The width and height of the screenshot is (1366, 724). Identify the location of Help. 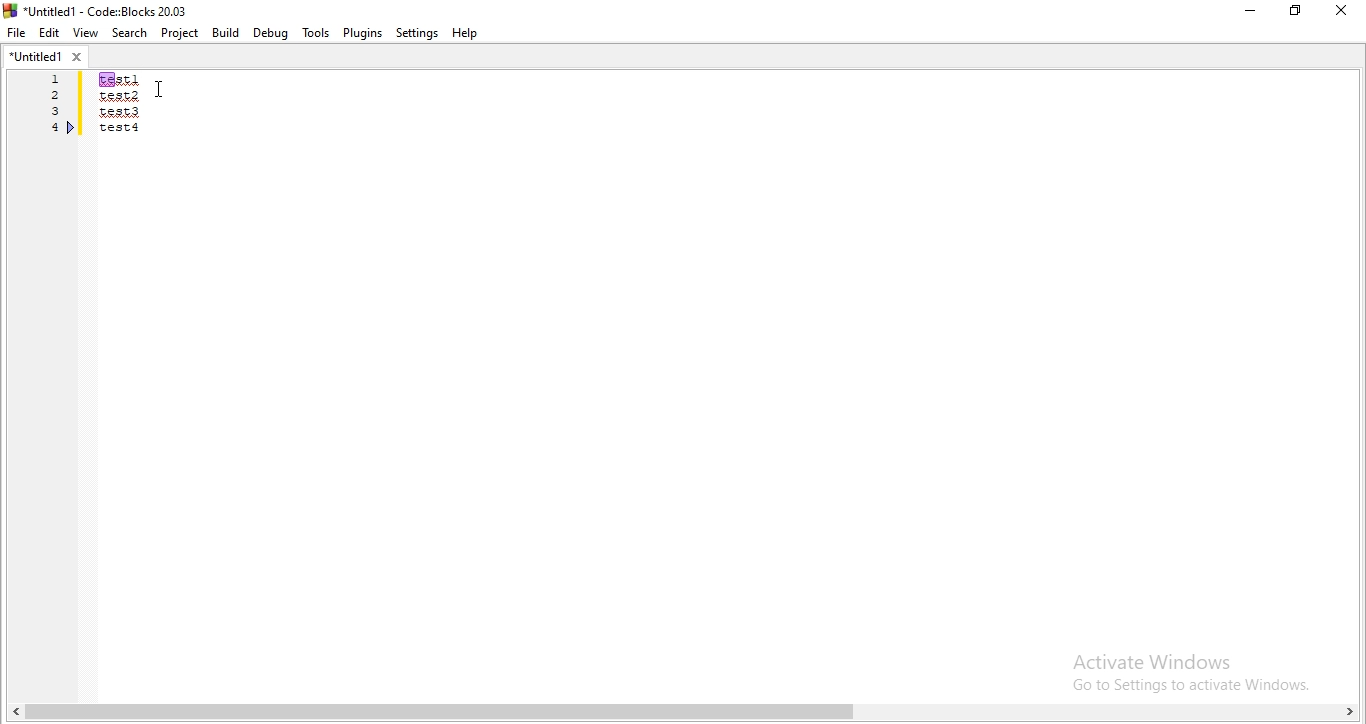
(469, 35).